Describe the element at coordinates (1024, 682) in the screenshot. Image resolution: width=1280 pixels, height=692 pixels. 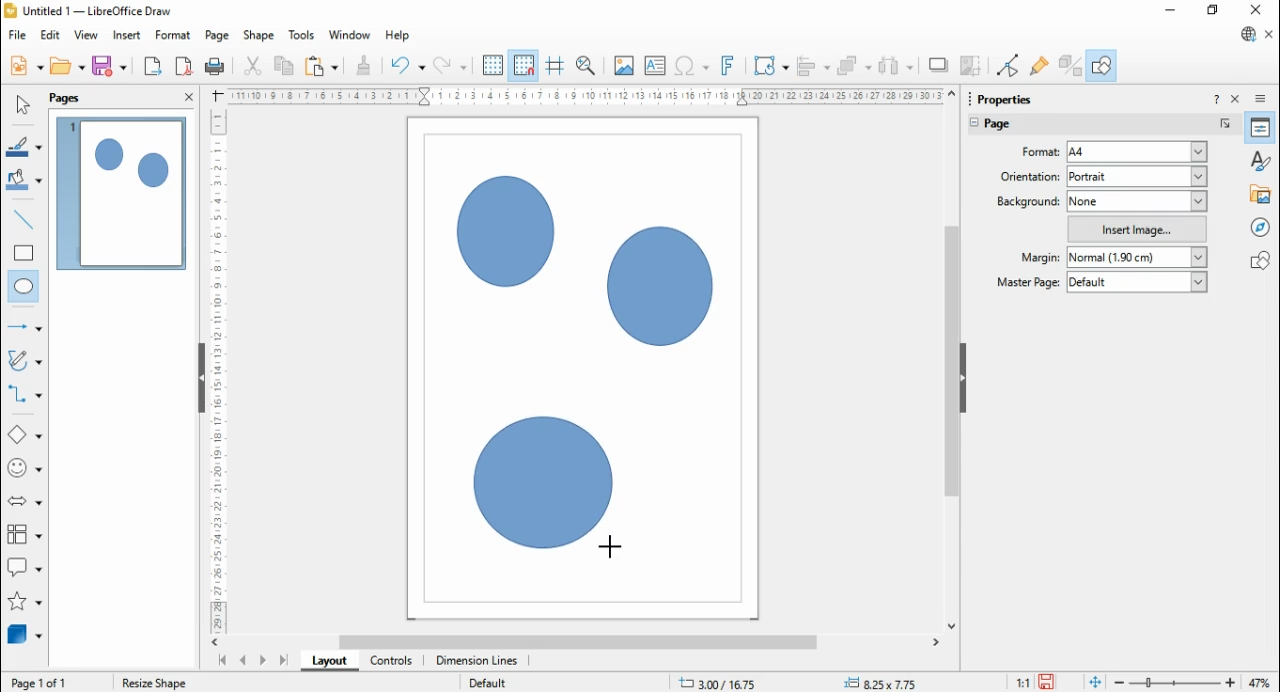
I see `11` at that location.